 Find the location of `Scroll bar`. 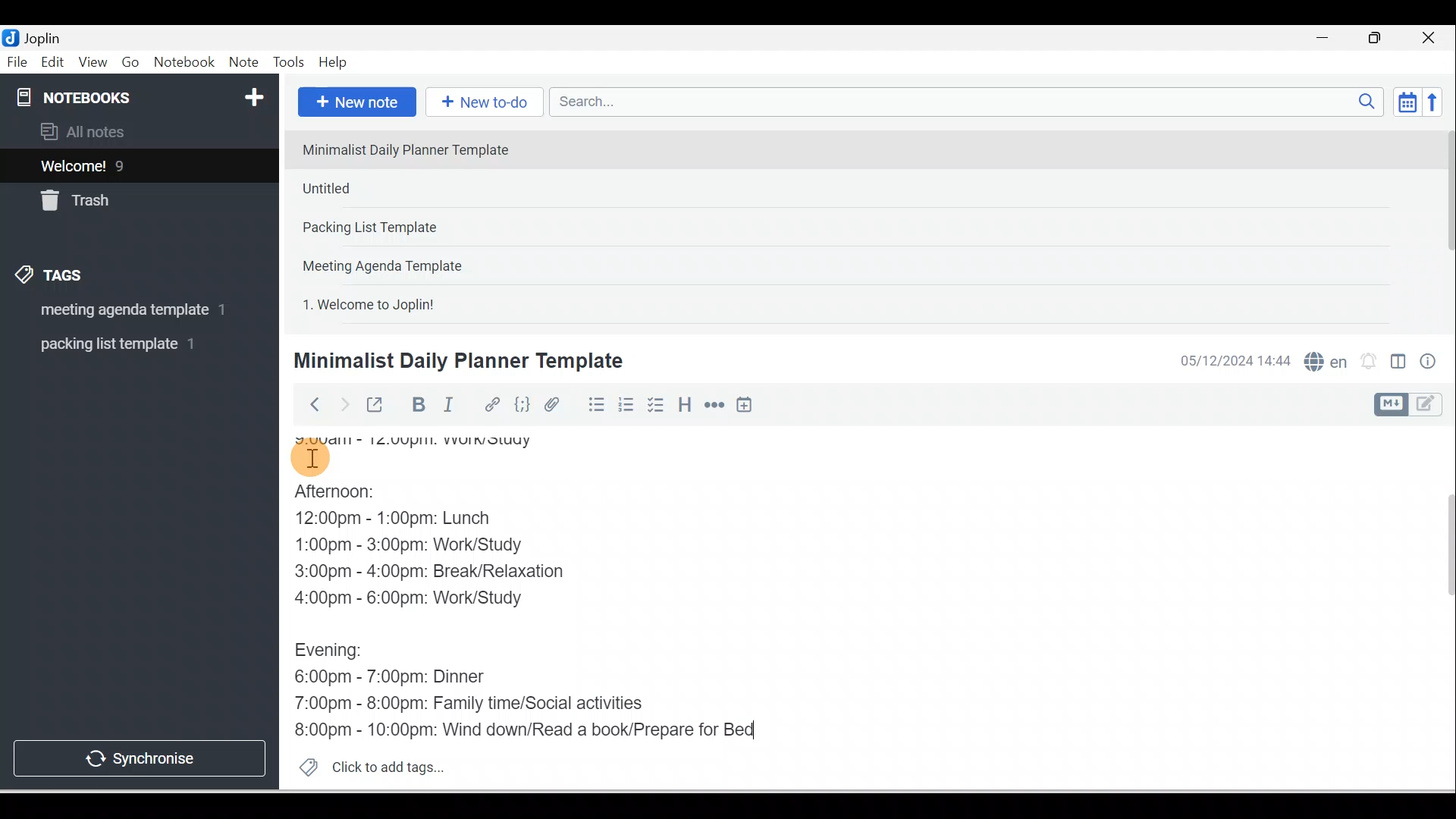

Scroll bar is located at coordinates (1444, 224).